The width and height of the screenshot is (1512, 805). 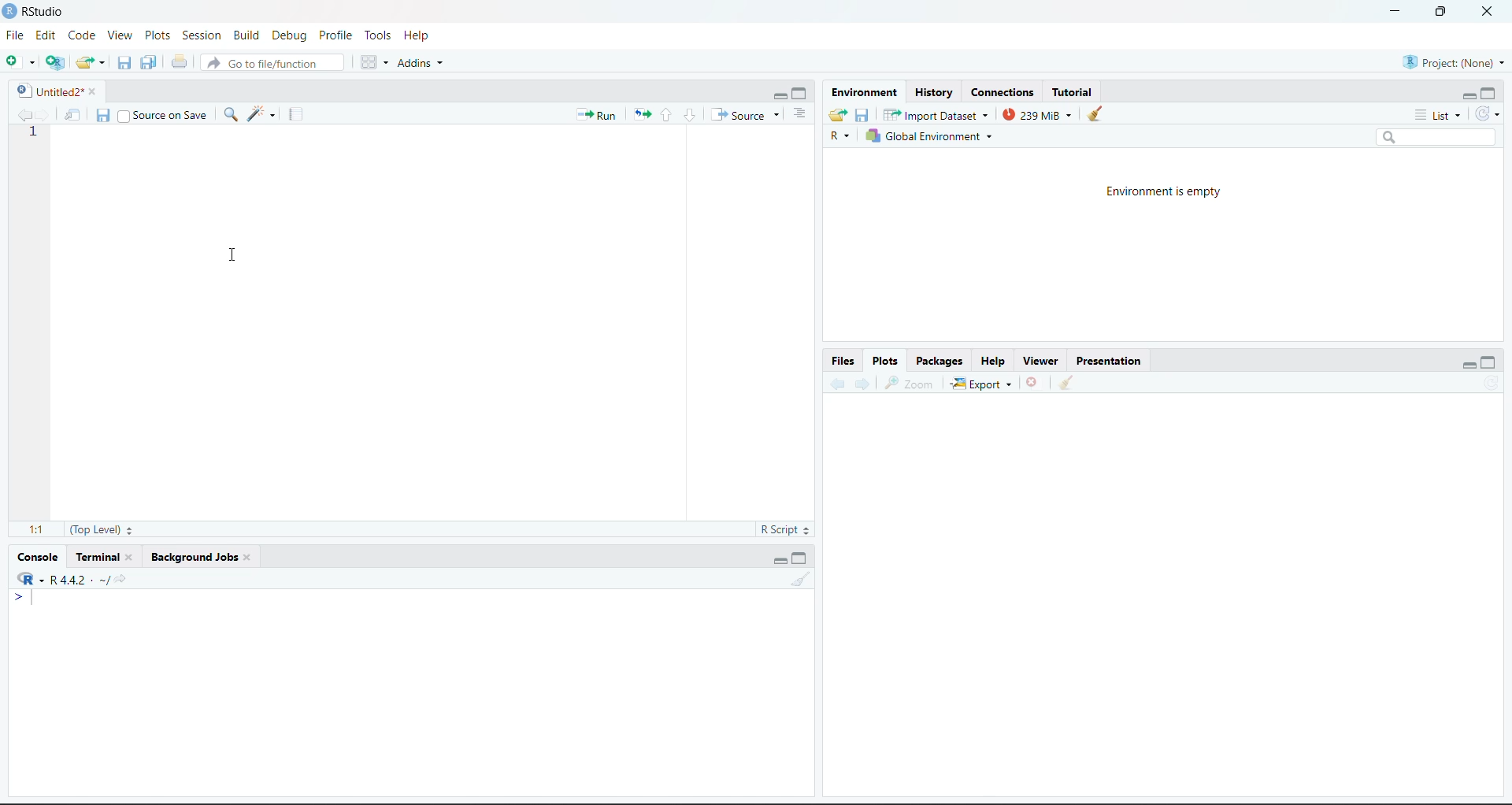 What do you see at coordinates (103, 114) in the screenshot?
I see `Save current document (Ctrl + S)` at bounding box center [103, 114].